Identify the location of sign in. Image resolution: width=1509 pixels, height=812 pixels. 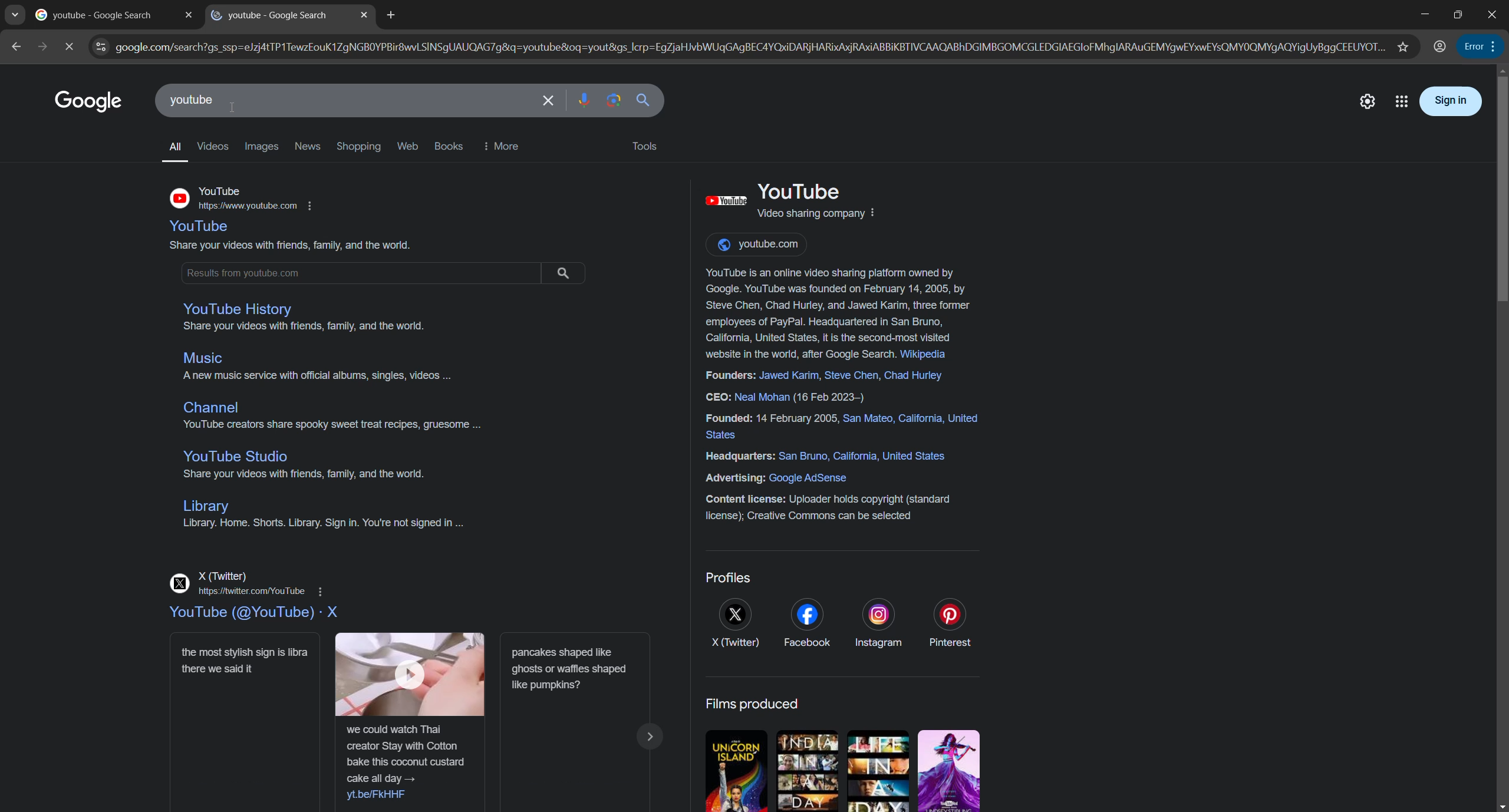
(1451, 103).